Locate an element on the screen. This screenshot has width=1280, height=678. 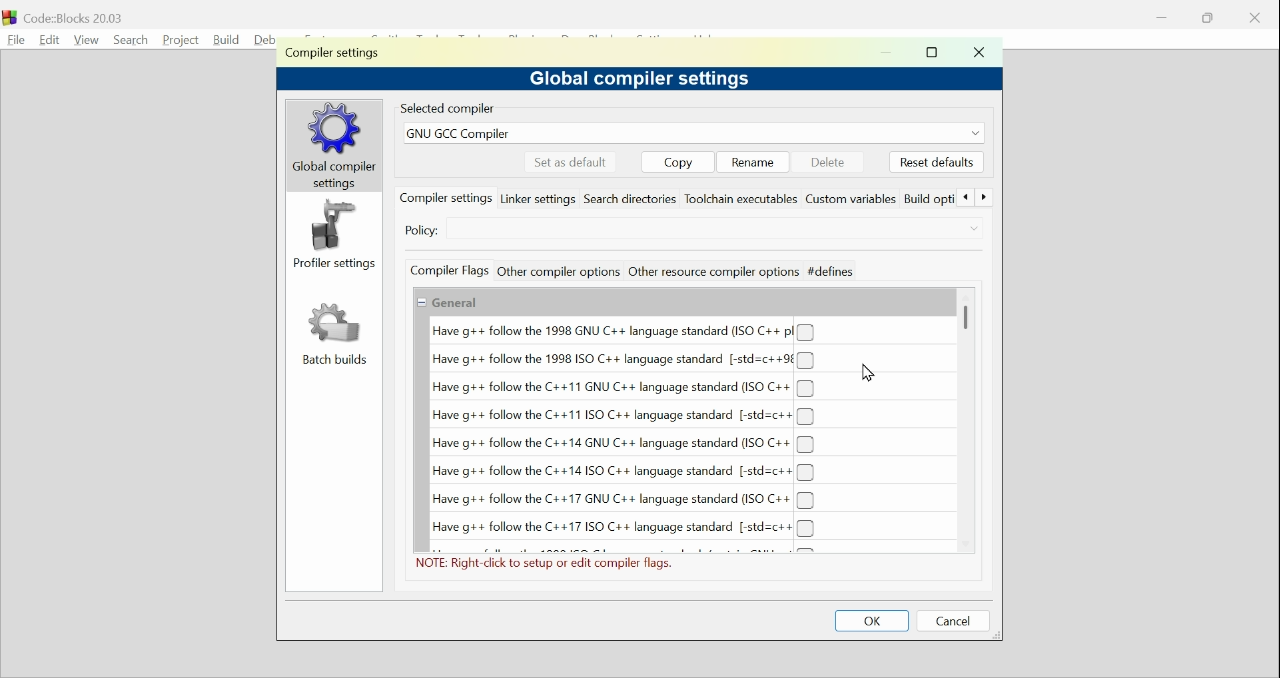
build is located at coordinates (224, 39).